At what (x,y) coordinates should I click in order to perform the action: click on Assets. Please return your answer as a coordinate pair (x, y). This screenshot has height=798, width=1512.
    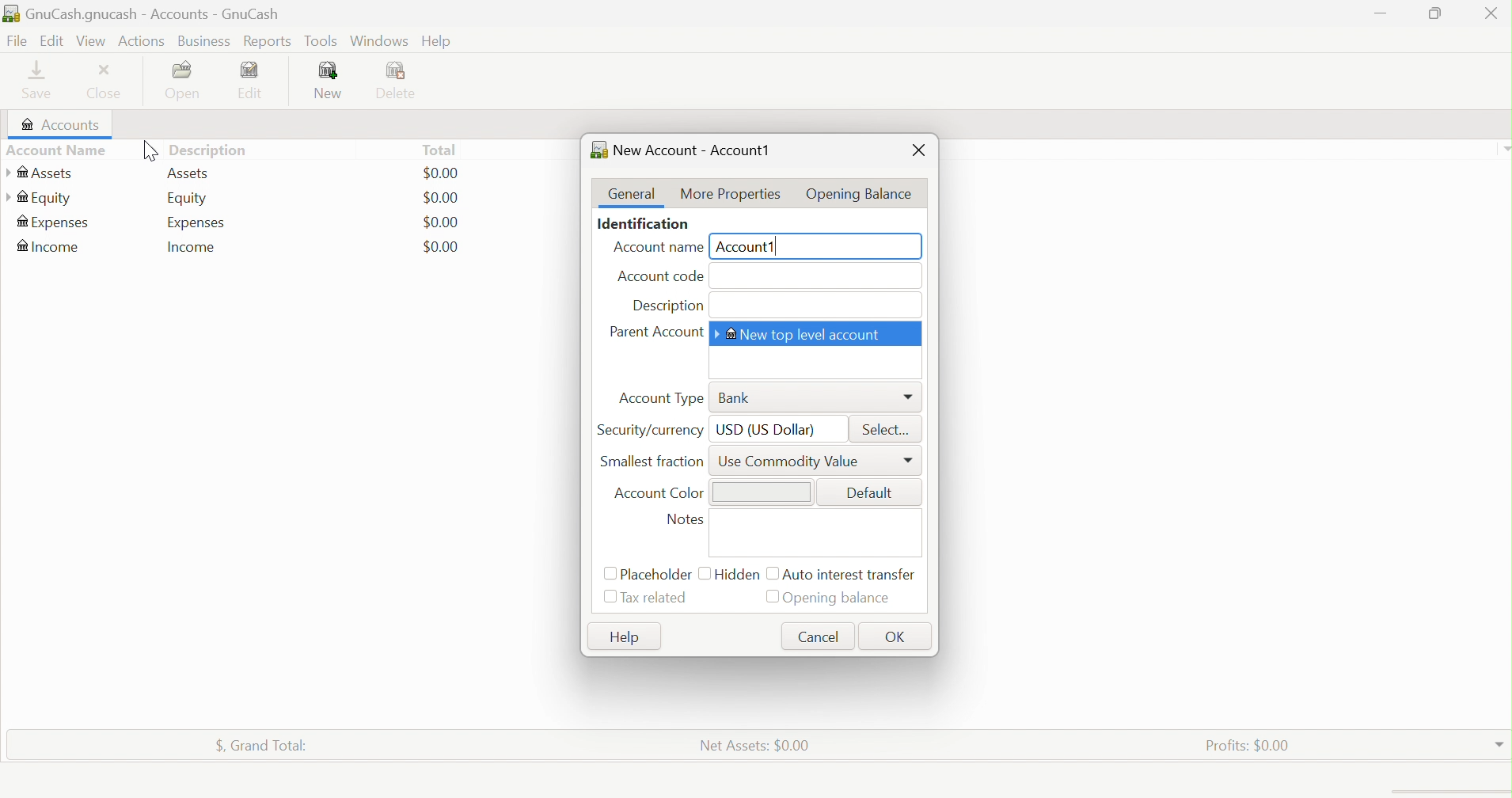
    Looking at the image, I should click on (191, 173).